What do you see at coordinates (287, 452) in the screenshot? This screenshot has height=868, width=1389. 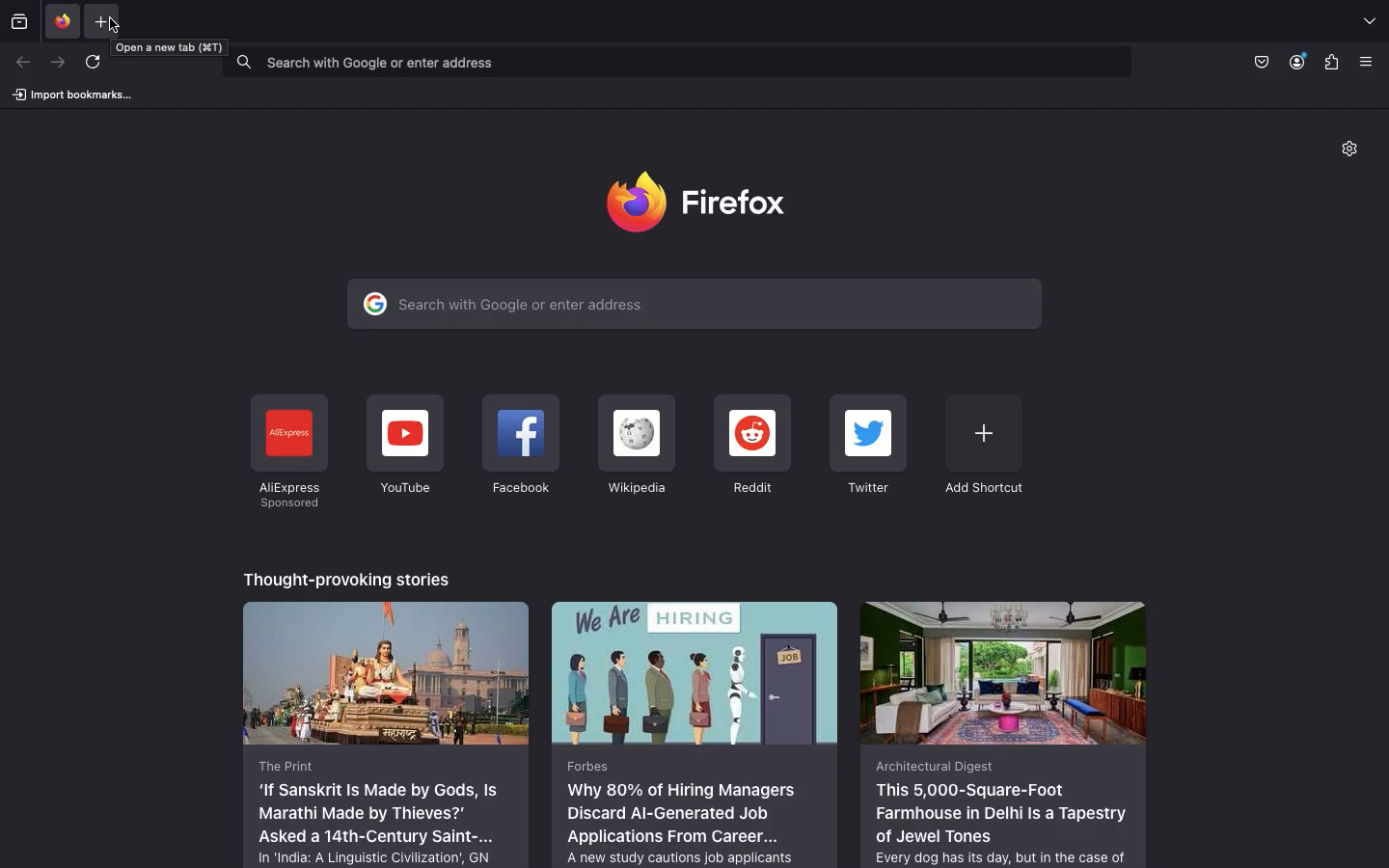 I see `AliExpress` at bounding box center [287, 452].